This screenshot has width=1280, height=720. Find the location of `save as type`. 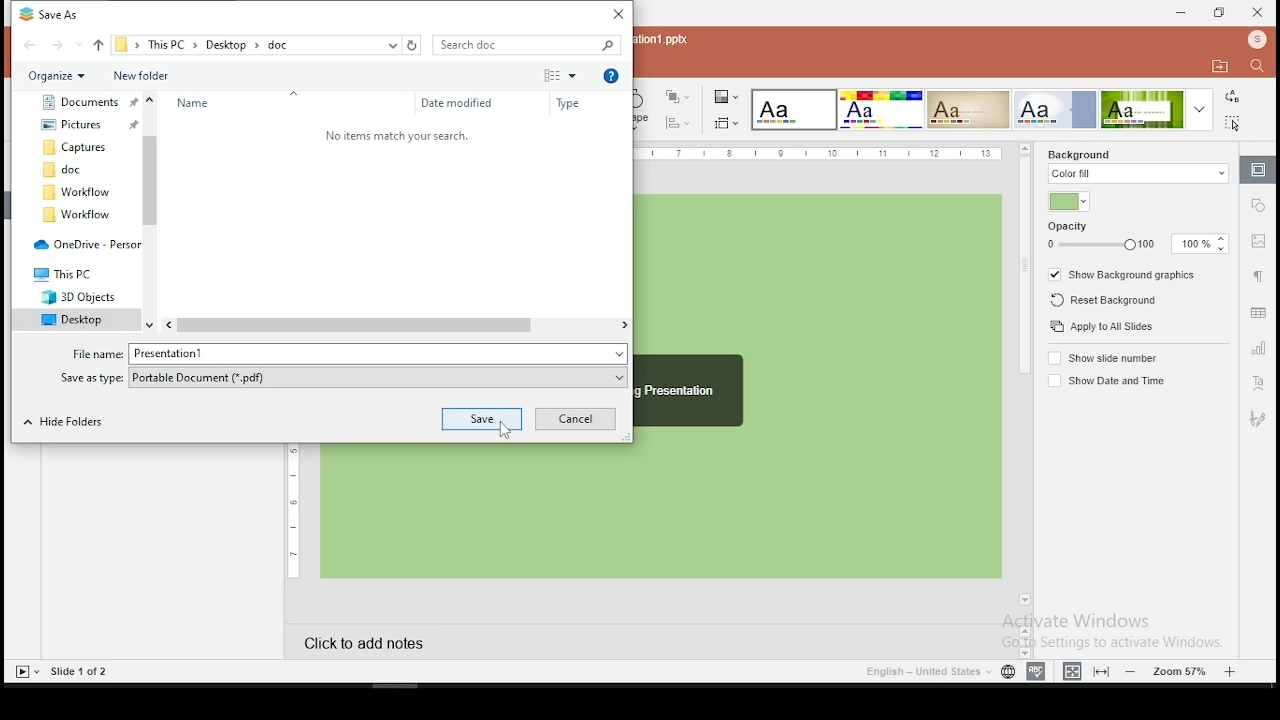

save as type is located at coordinates (89, 378).